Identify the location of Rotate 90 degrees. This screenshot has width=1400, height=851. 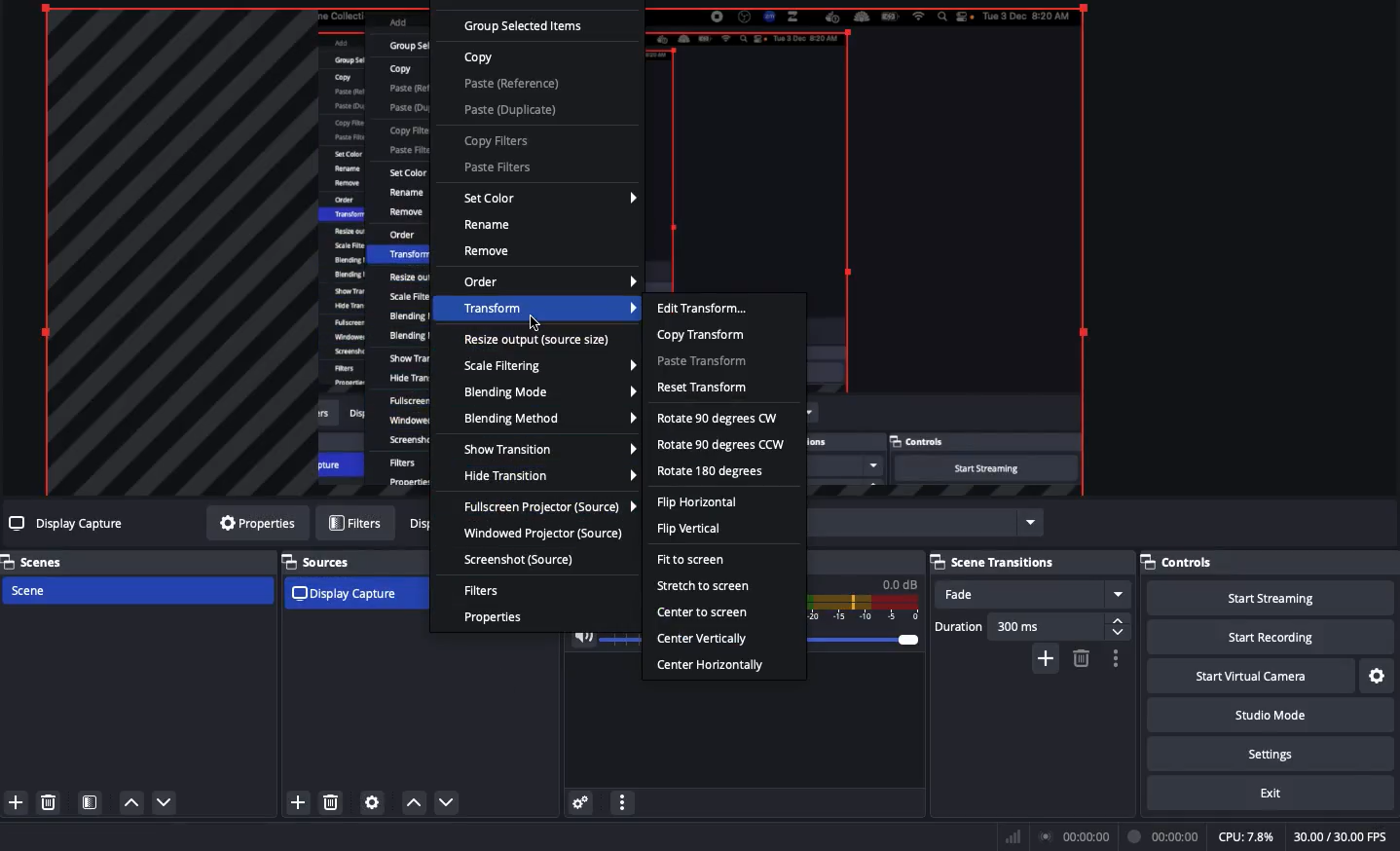
(721, 431).